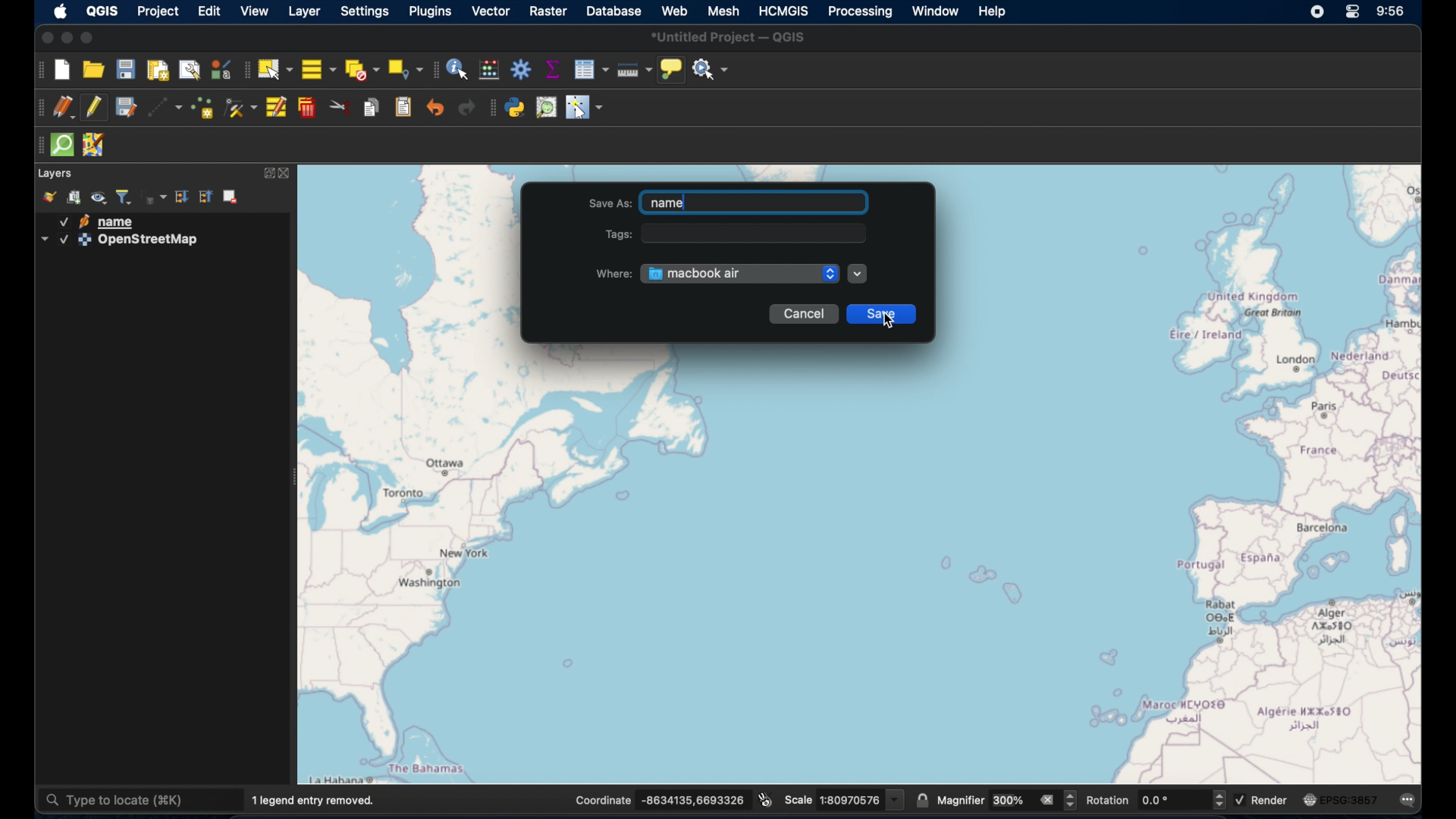  What do you see at coordinates (165, 109) in the screenshot?
I see `digitize with segment` at bounding box center [165, 109].